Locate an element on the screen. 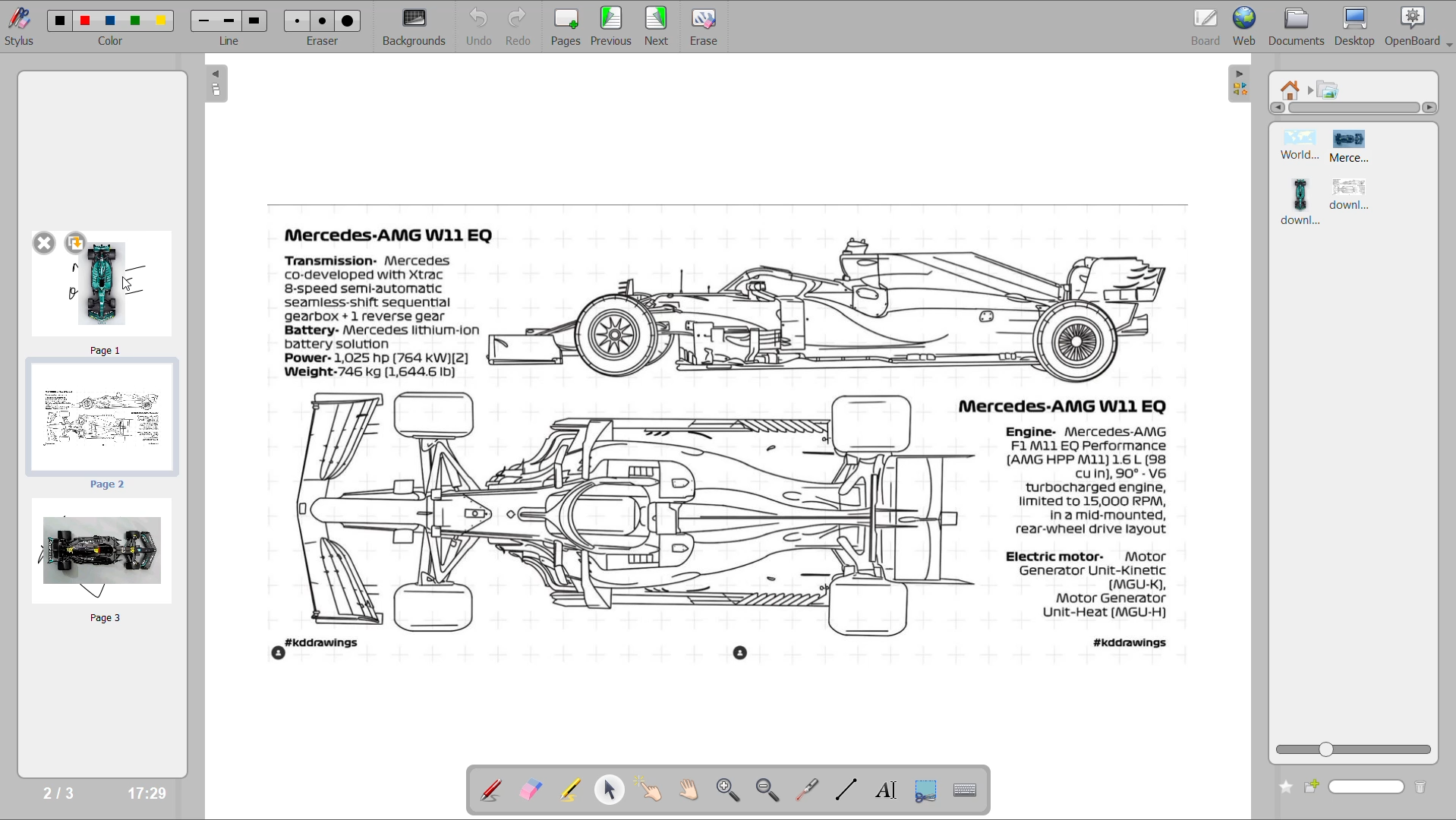 The width and height of the screenshot is (1456, 820). zoom out is located at coordinates (768, 790).